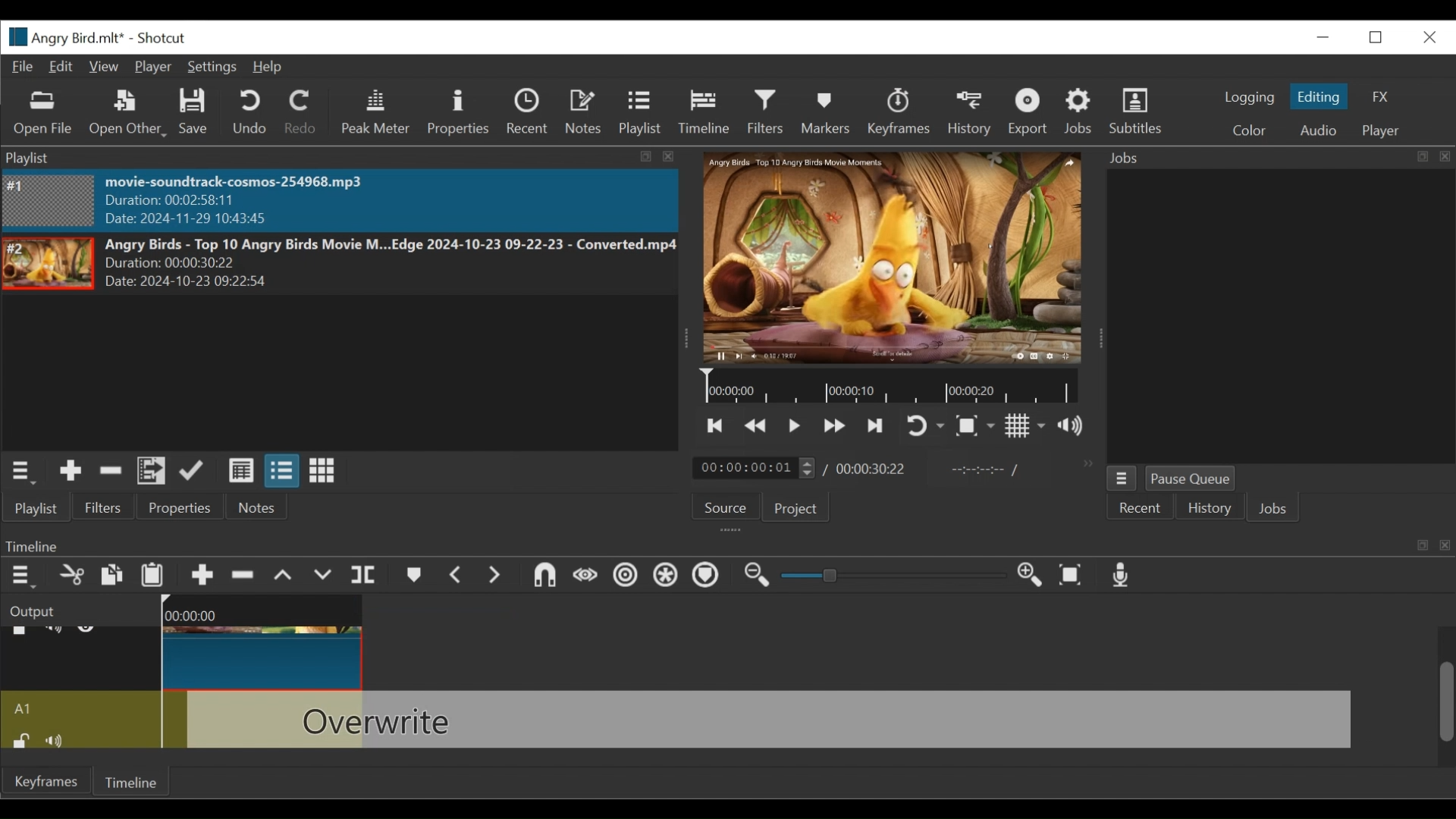 The image size is (1456, 819). I want to click on Source, so click(726, 508).